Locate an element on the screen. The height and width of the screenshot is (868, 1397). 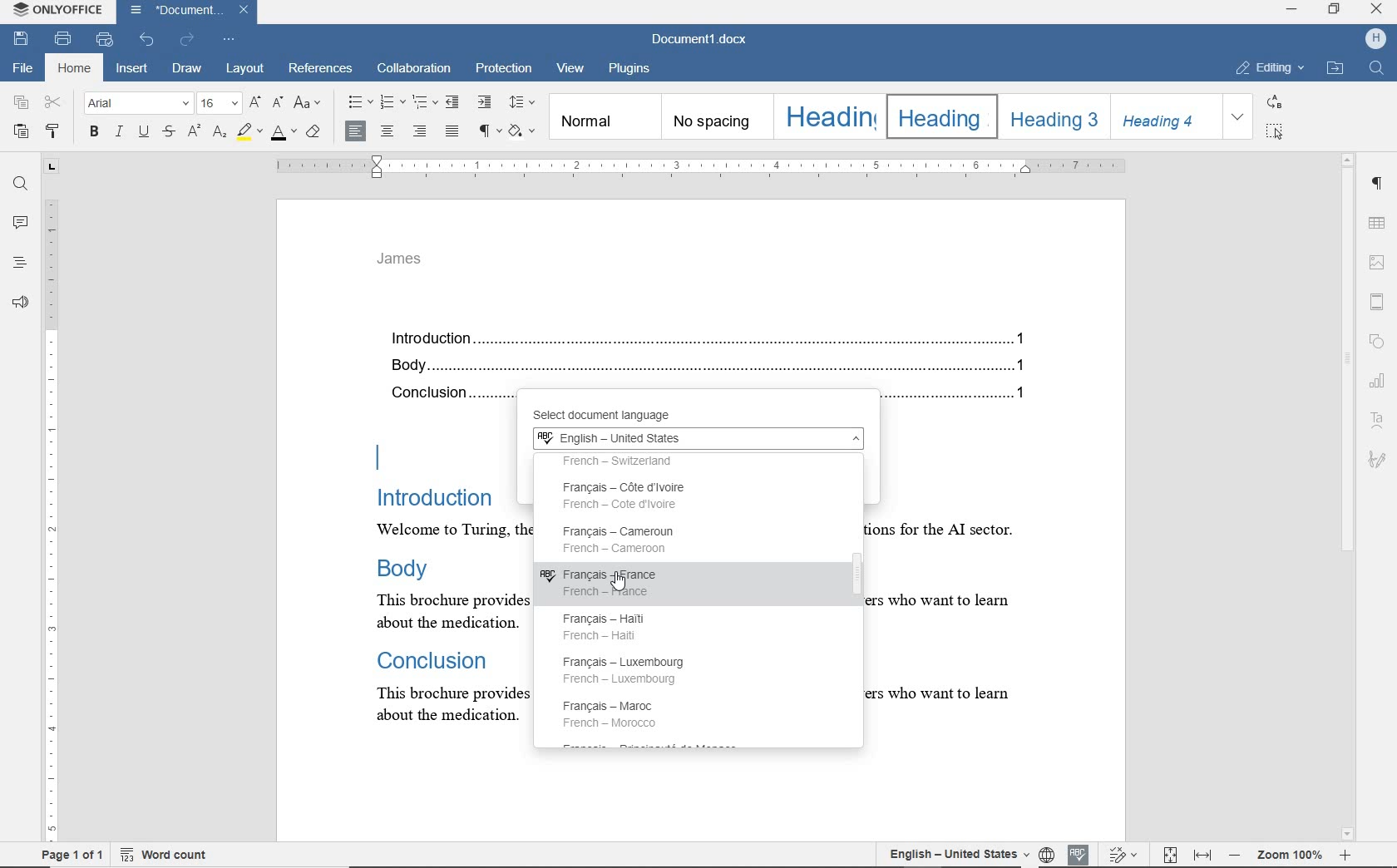
fit to page is located at coordinates (1171, 856).